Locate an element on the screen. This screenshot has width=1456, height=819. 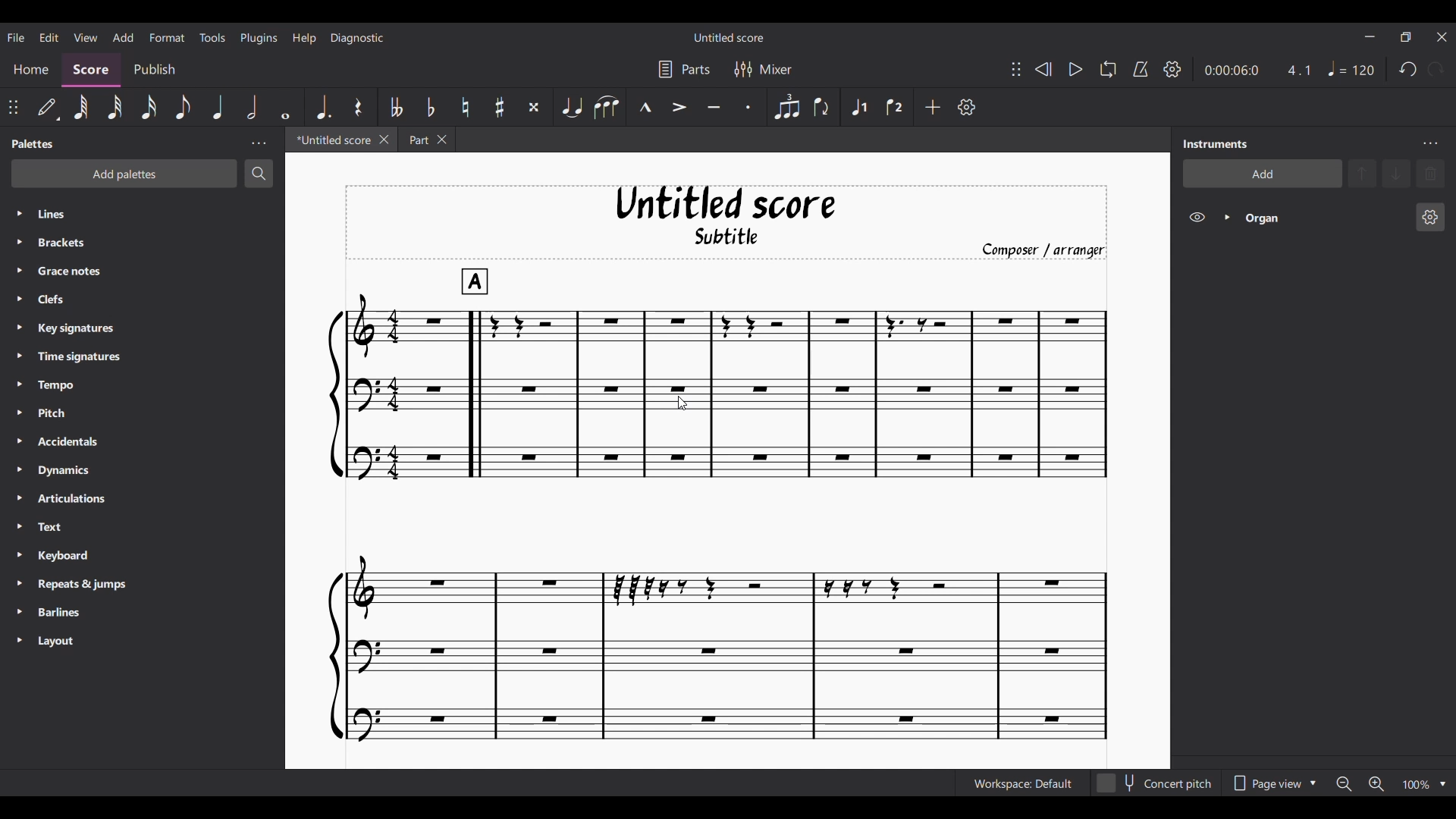
Toggle flat is located at coordinates (430, 106).